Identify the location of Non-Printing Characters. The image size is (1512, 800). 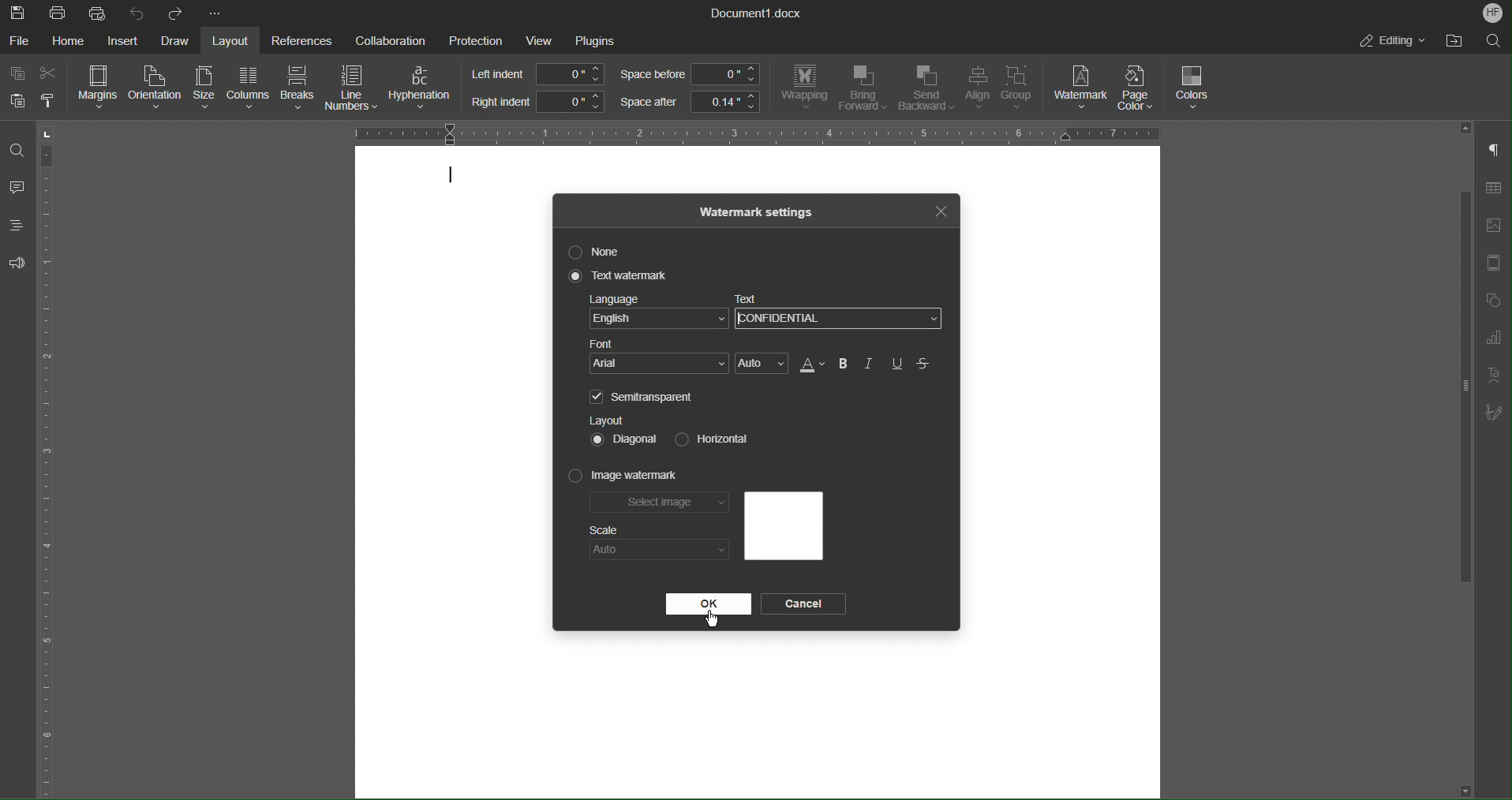
(1495, 151).